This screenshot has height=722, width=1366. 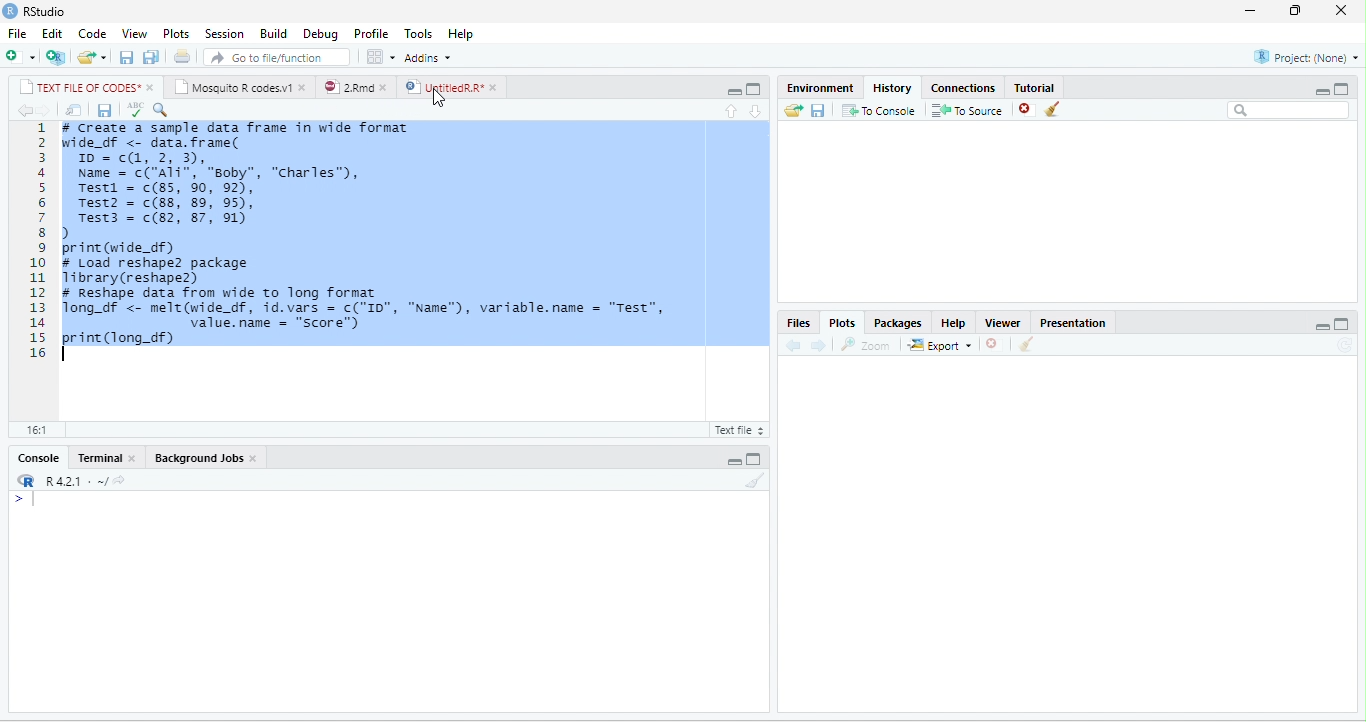 I want to click on options, so click(x=381, y=57).